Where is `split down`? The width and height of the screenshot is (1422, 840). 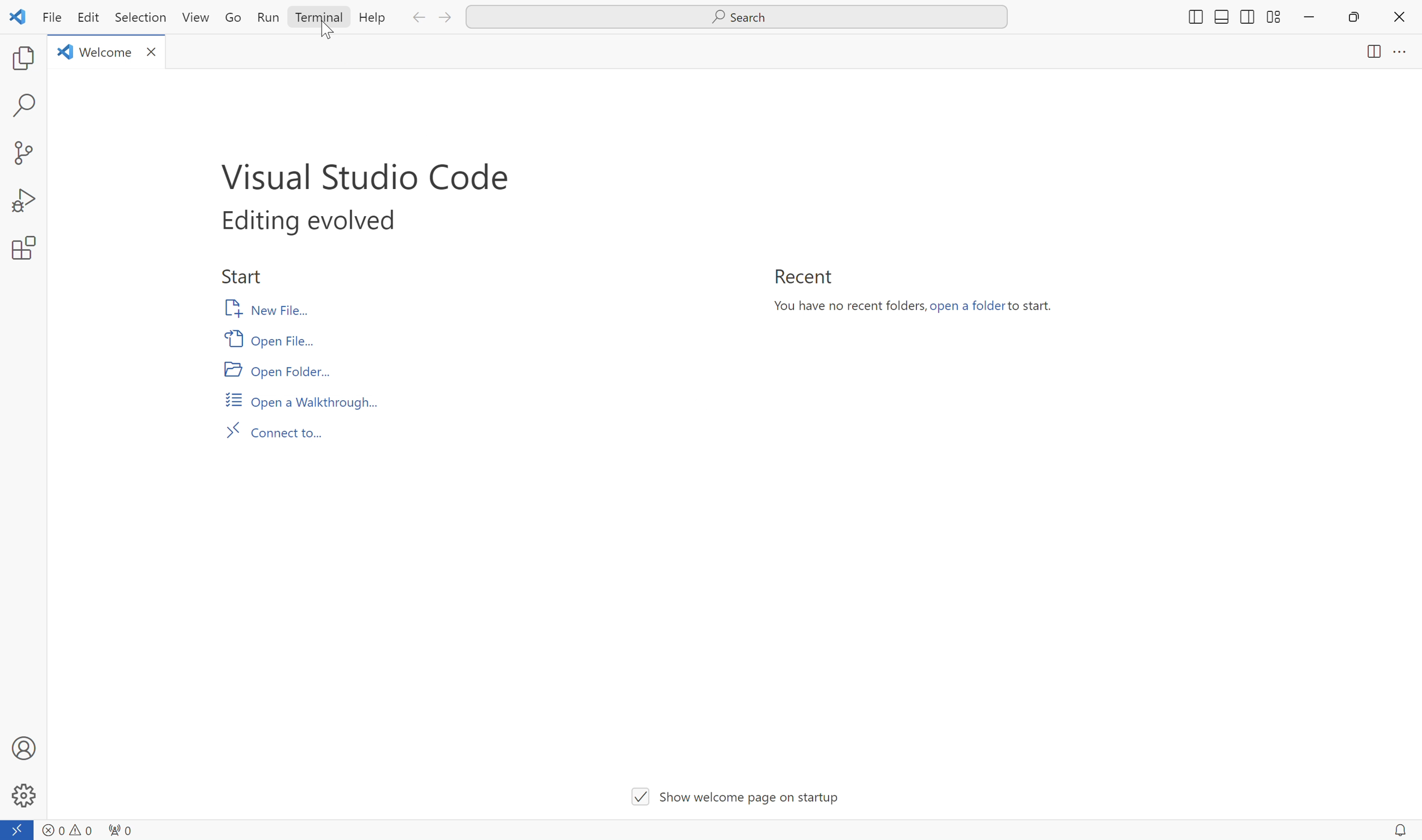
split down is located at coordinates (1221, 19).